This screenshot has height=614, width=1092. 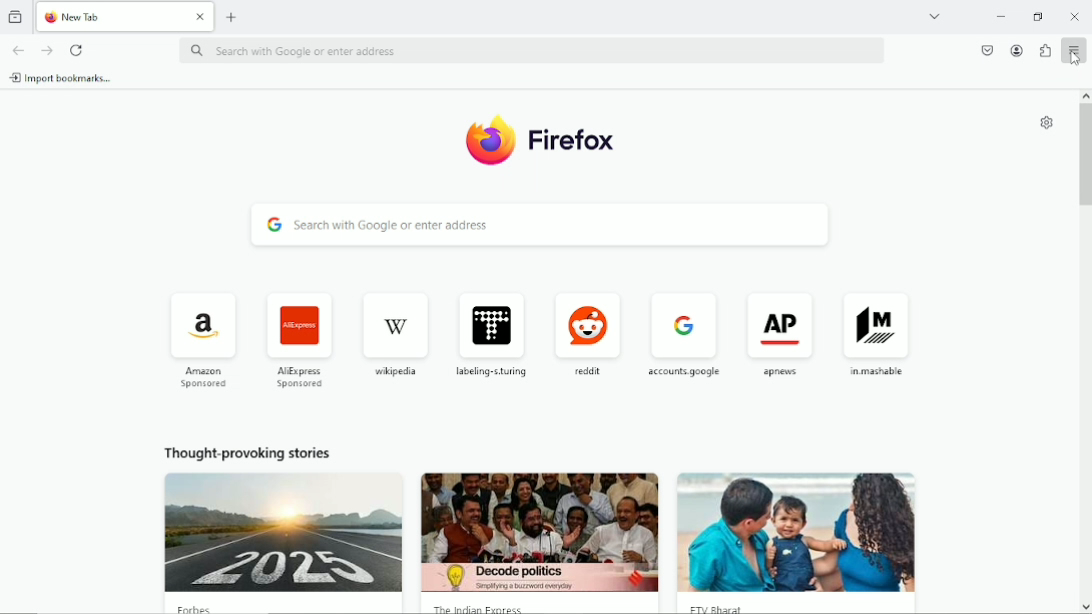 I want to click on firefox, so click(x=547, y=139).